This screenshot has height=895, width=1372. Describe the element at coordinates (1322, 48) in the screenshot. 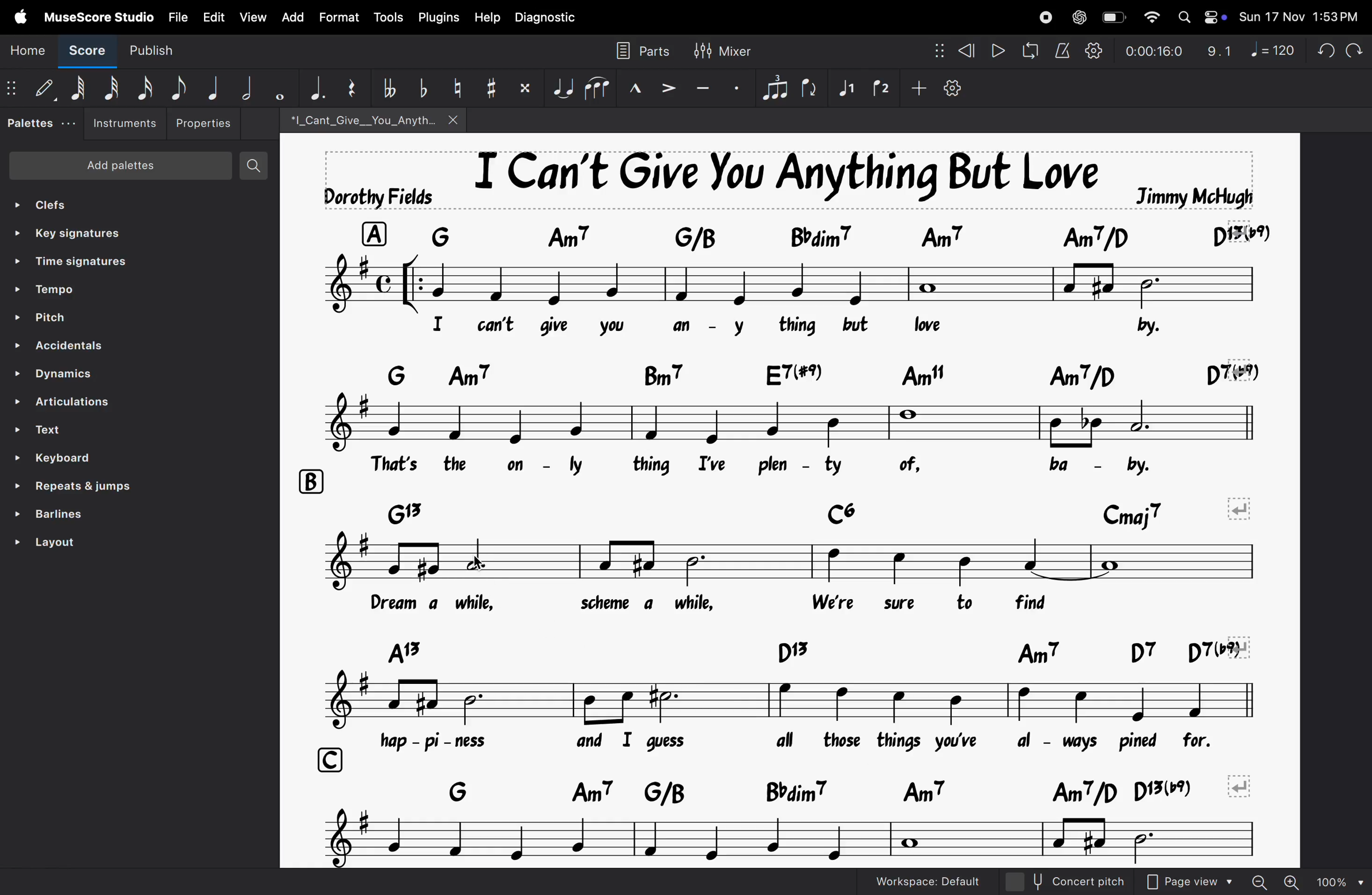

I see `undo` at that location.